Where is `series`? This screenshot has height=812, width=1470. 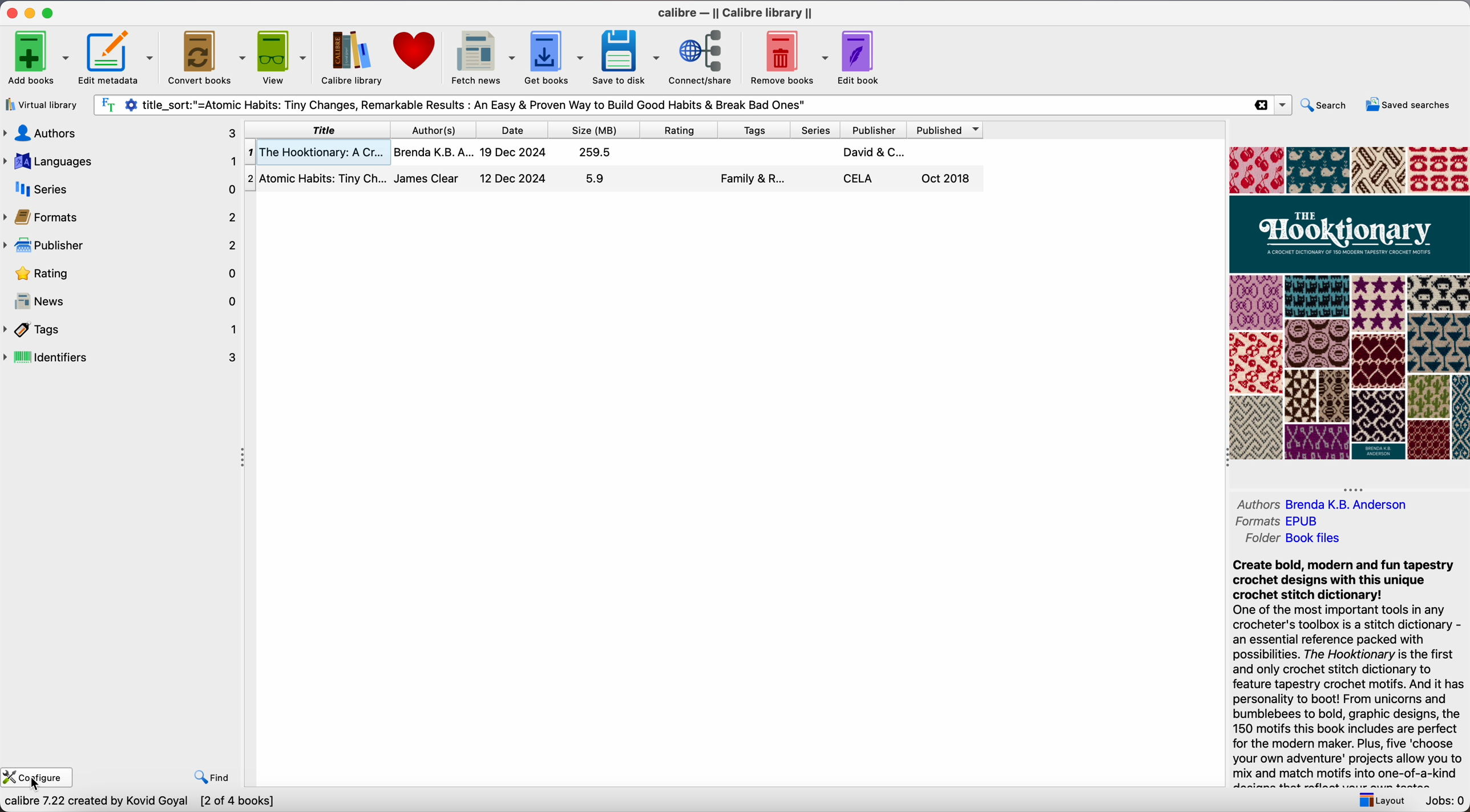 series is located at coordinates (817, 129).